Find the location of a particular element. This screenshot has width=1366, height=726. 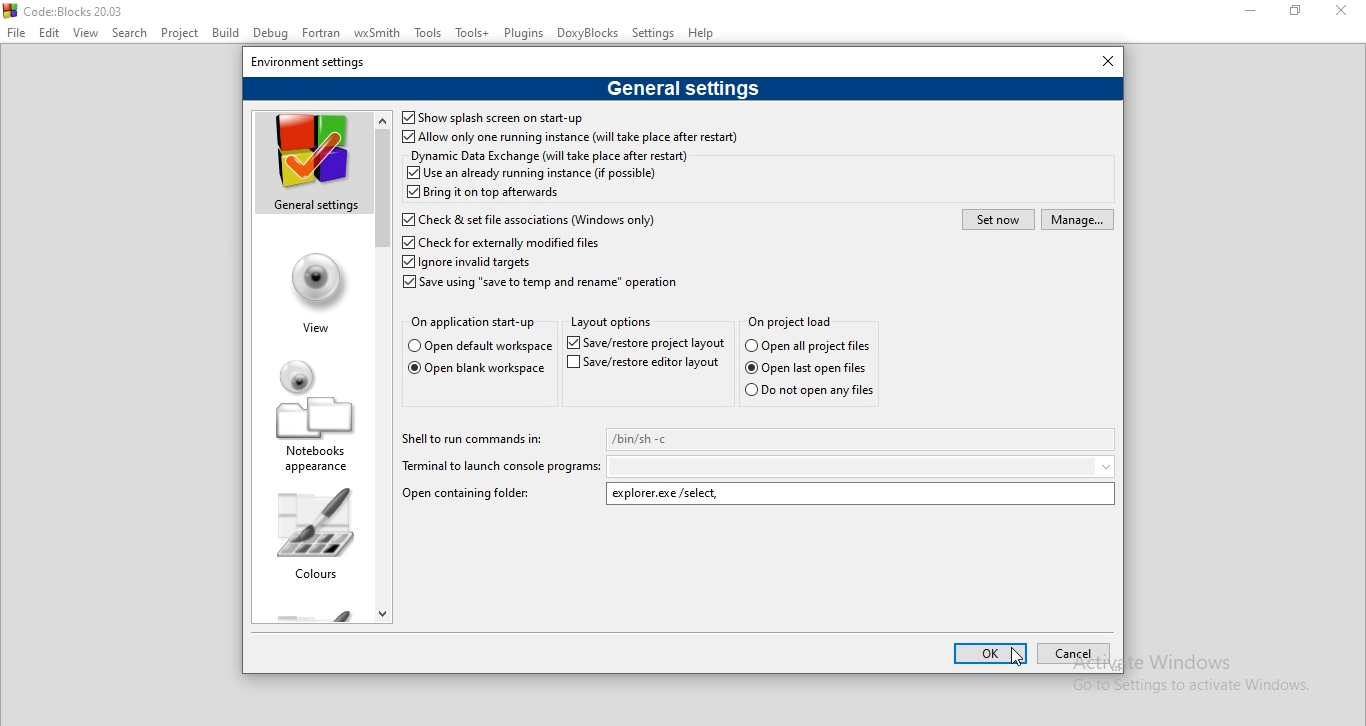

general settings is located at coordinates (681, 90).